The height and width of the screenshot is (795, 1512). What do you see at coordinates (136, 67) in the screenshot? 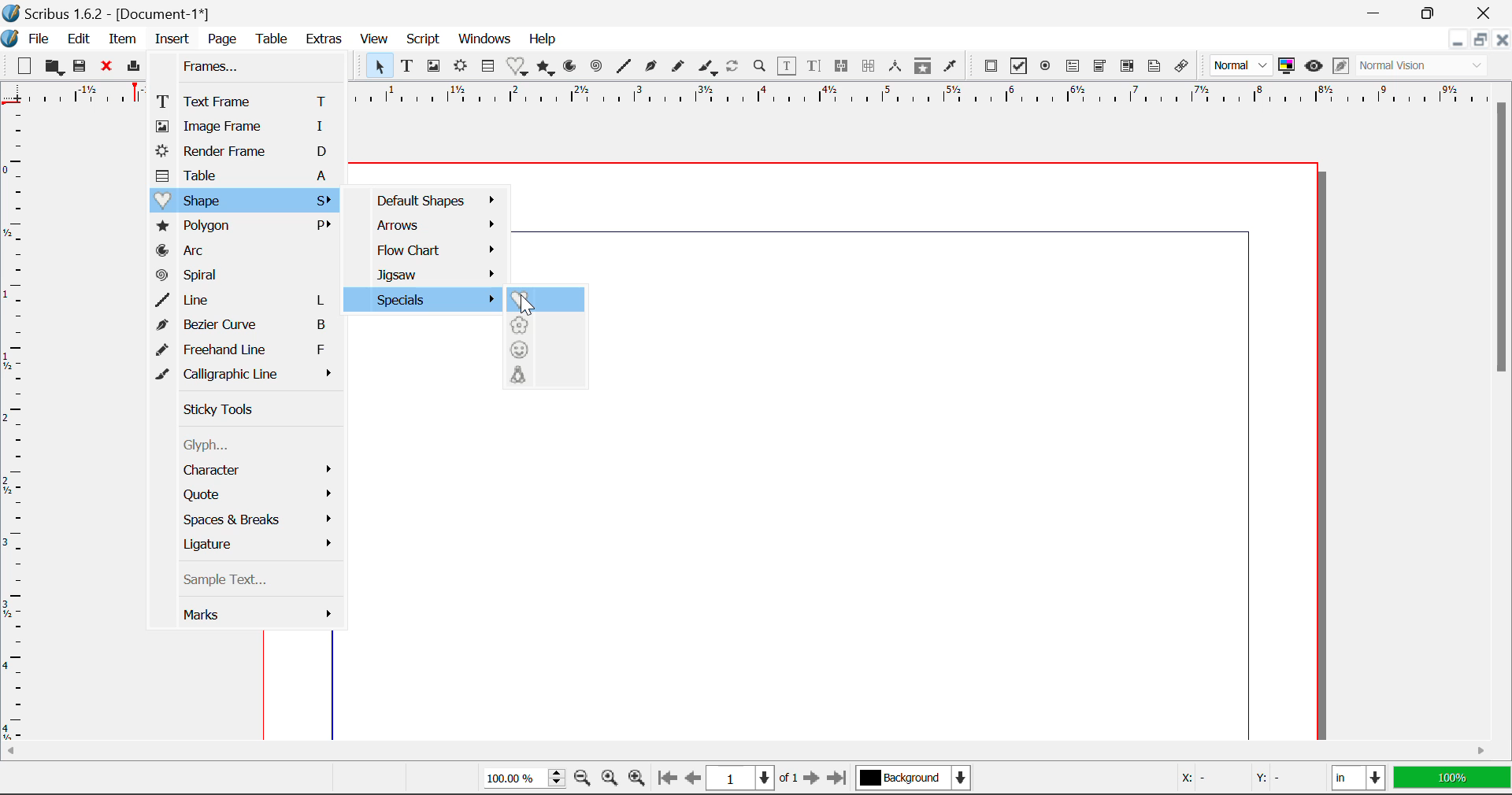
I see `Print` at bounding box center [136, 67].